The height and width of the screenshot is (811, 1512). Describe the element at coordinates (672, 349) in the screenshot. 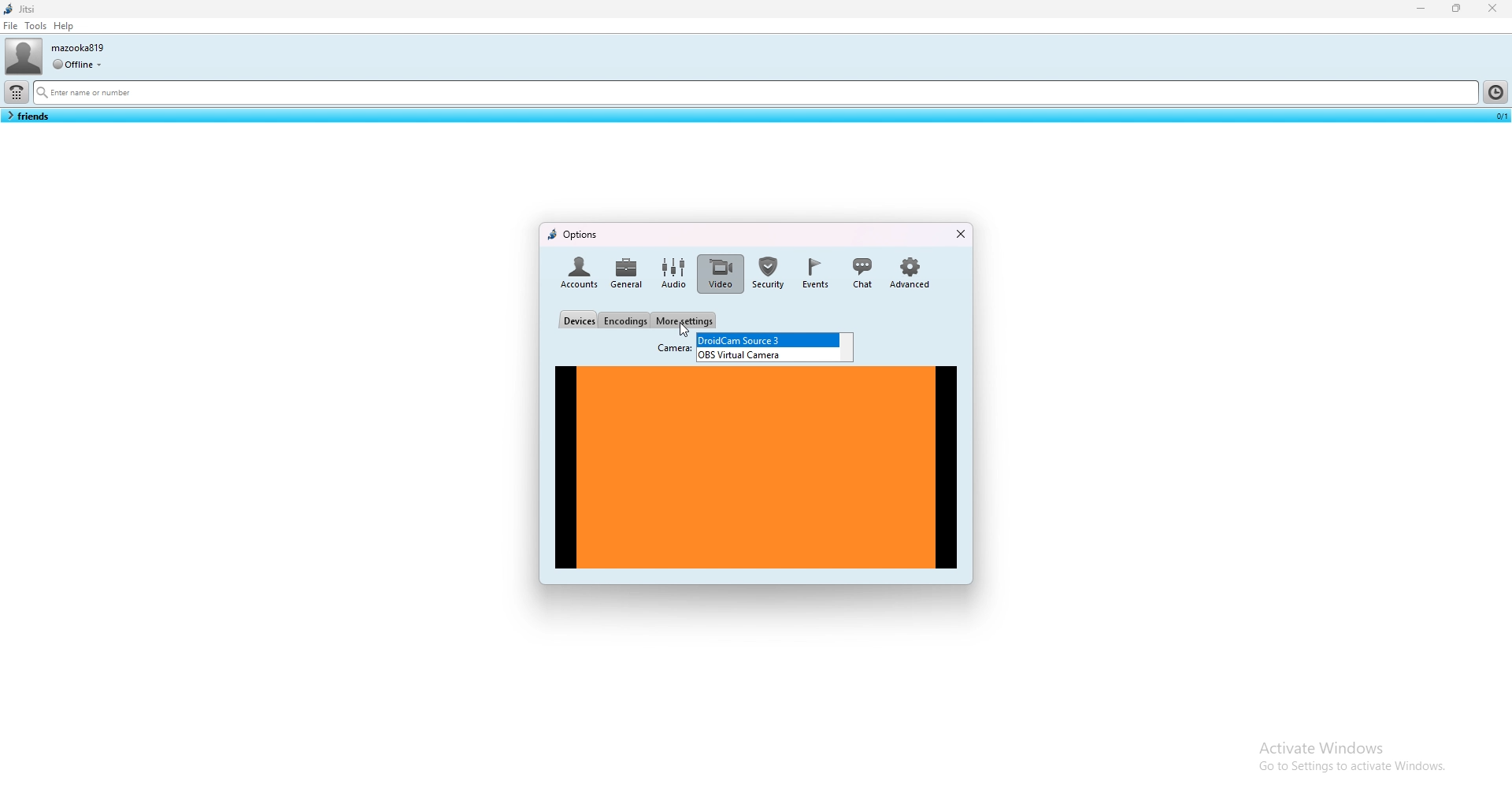

I see `camera` at that location.